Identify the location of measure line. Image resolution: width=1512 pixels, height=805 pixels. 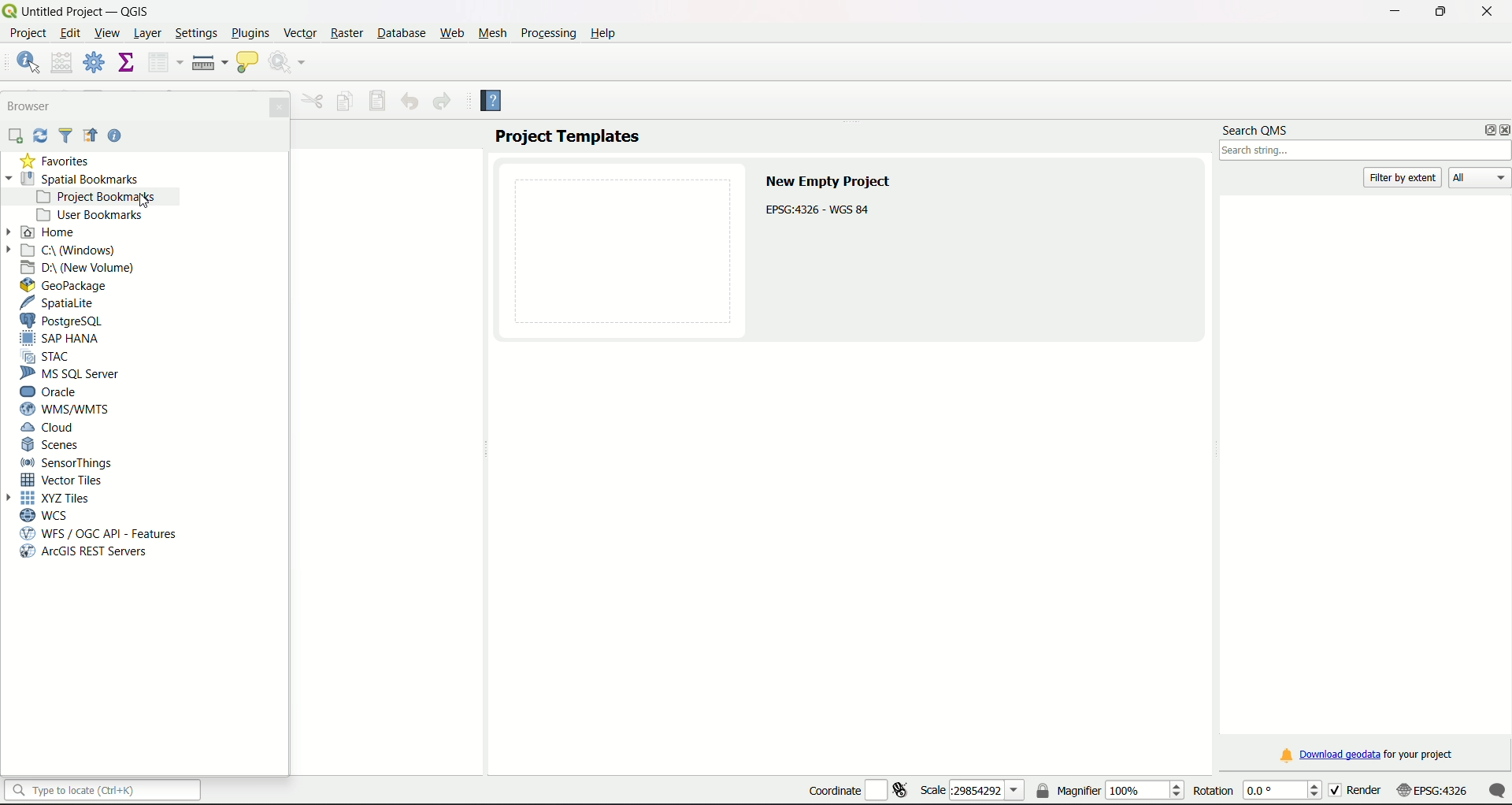
(209, 63).